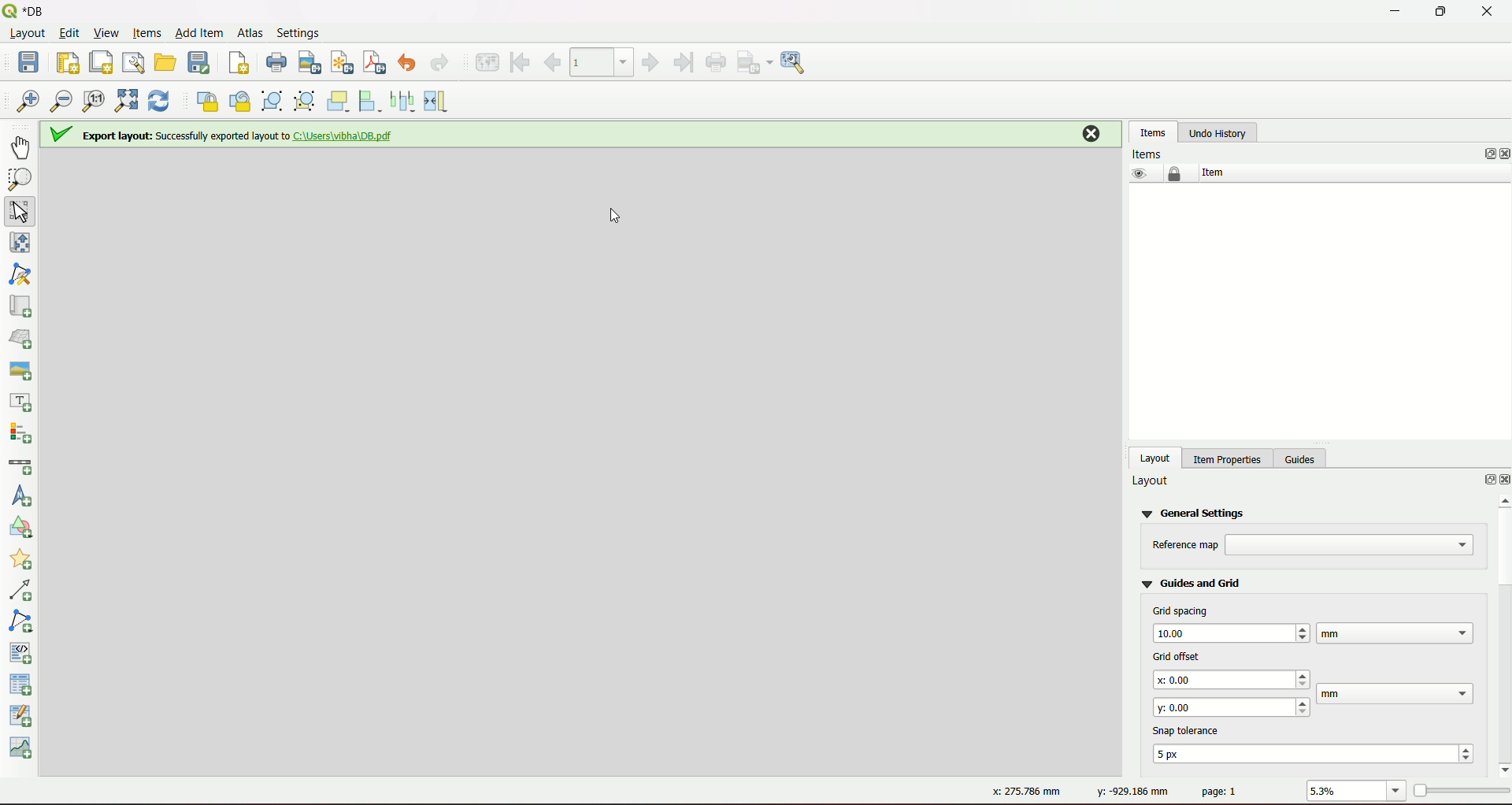 The width and height of the screenshot is (1512, 805). Describe the element at coordinates (1181, 610) in the screenshot. I see `grid spacing` at that location.